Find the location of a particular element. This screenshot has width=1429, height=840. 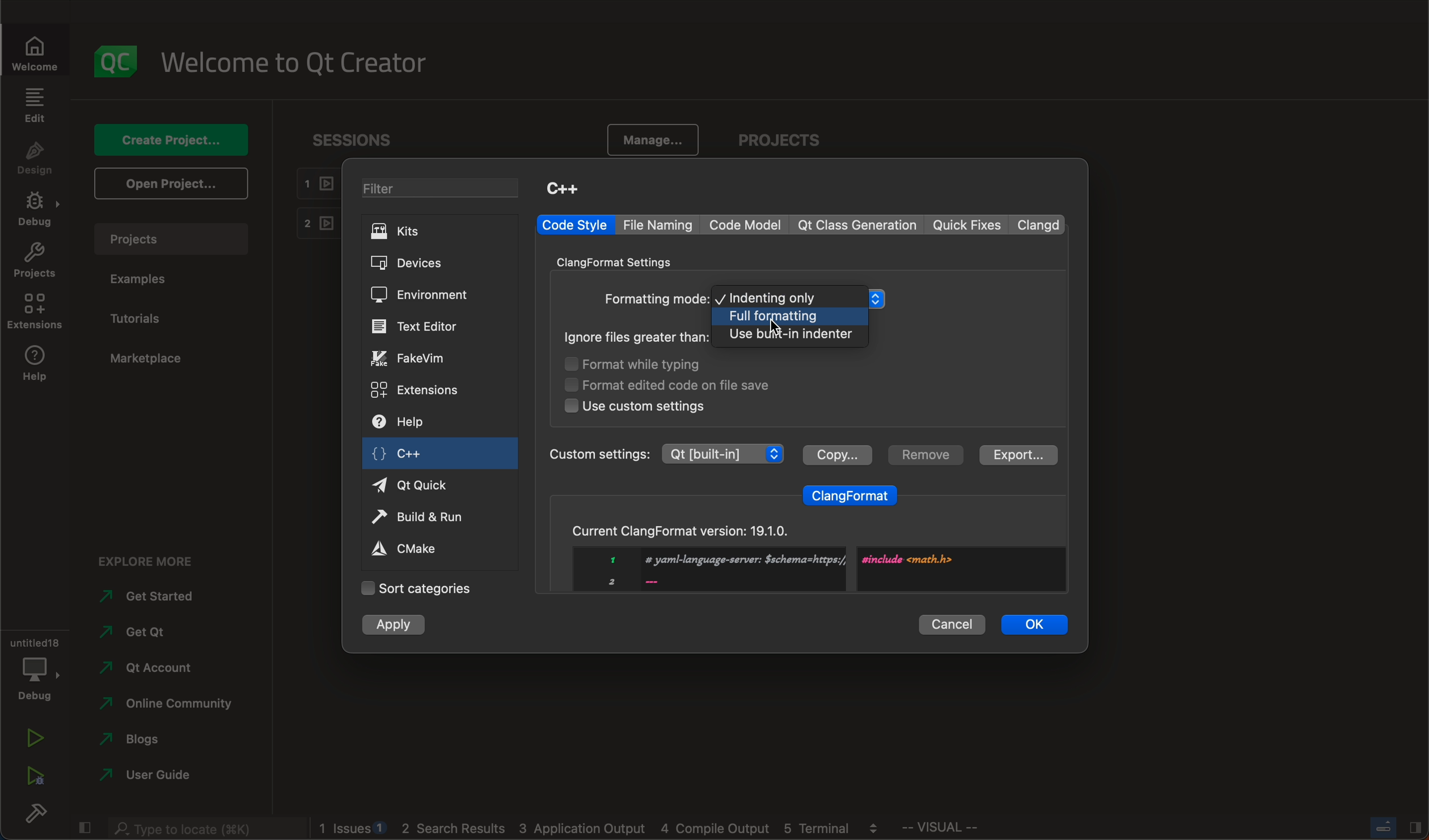

build and run is located at coordinates (423, 519).